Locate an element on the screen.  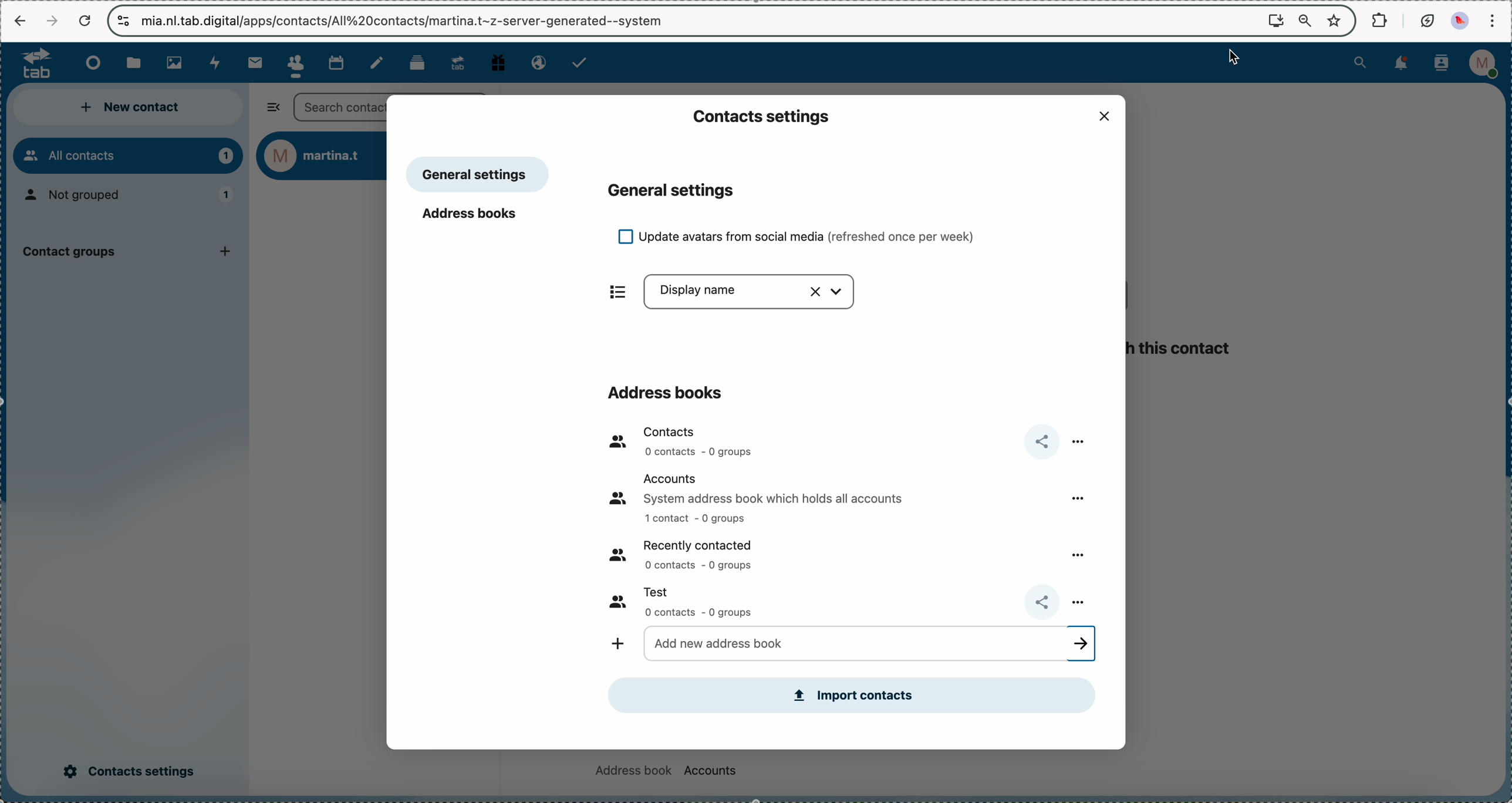
contacts is located at coordinates (685, 441).